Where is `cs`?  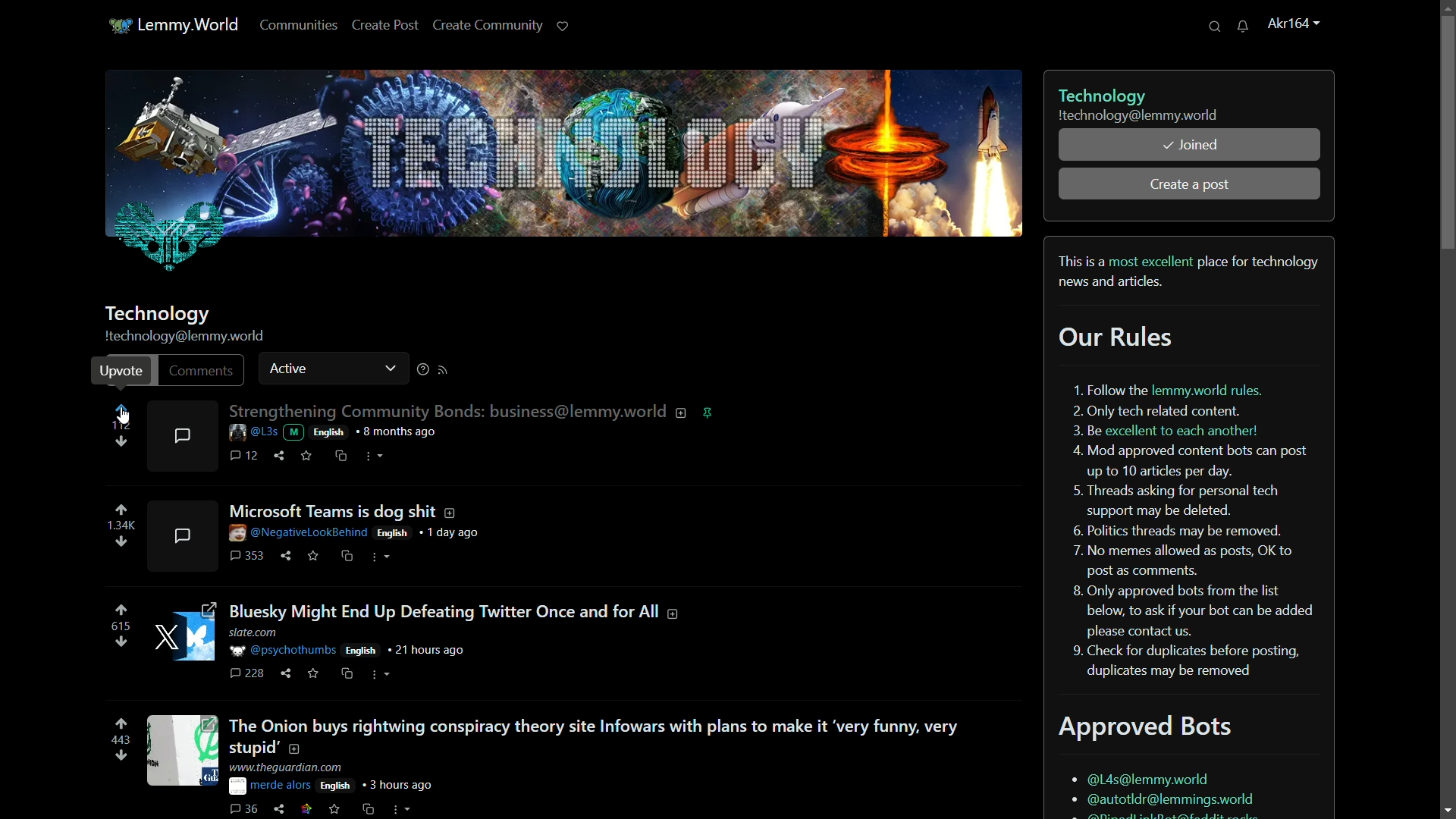 cs is located at coordinates (347, 675).